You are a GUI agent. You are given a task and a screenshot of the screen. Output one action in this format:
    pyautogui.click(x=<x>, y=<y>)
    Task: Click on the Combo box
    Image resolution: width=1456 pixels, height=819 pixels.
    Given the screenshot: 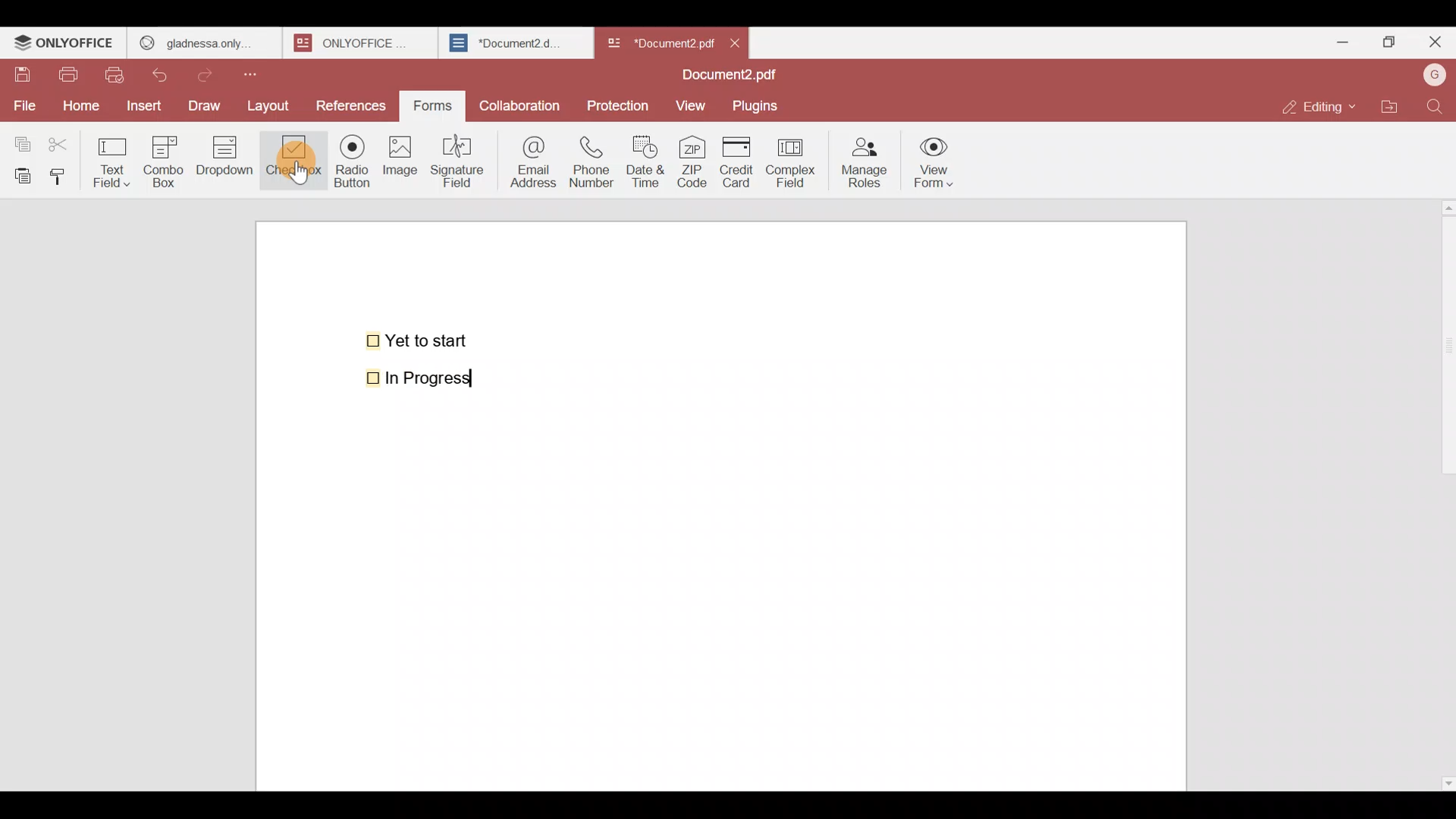 What is the action you would take?
    pyautogui.click(x=163, y=159)
    